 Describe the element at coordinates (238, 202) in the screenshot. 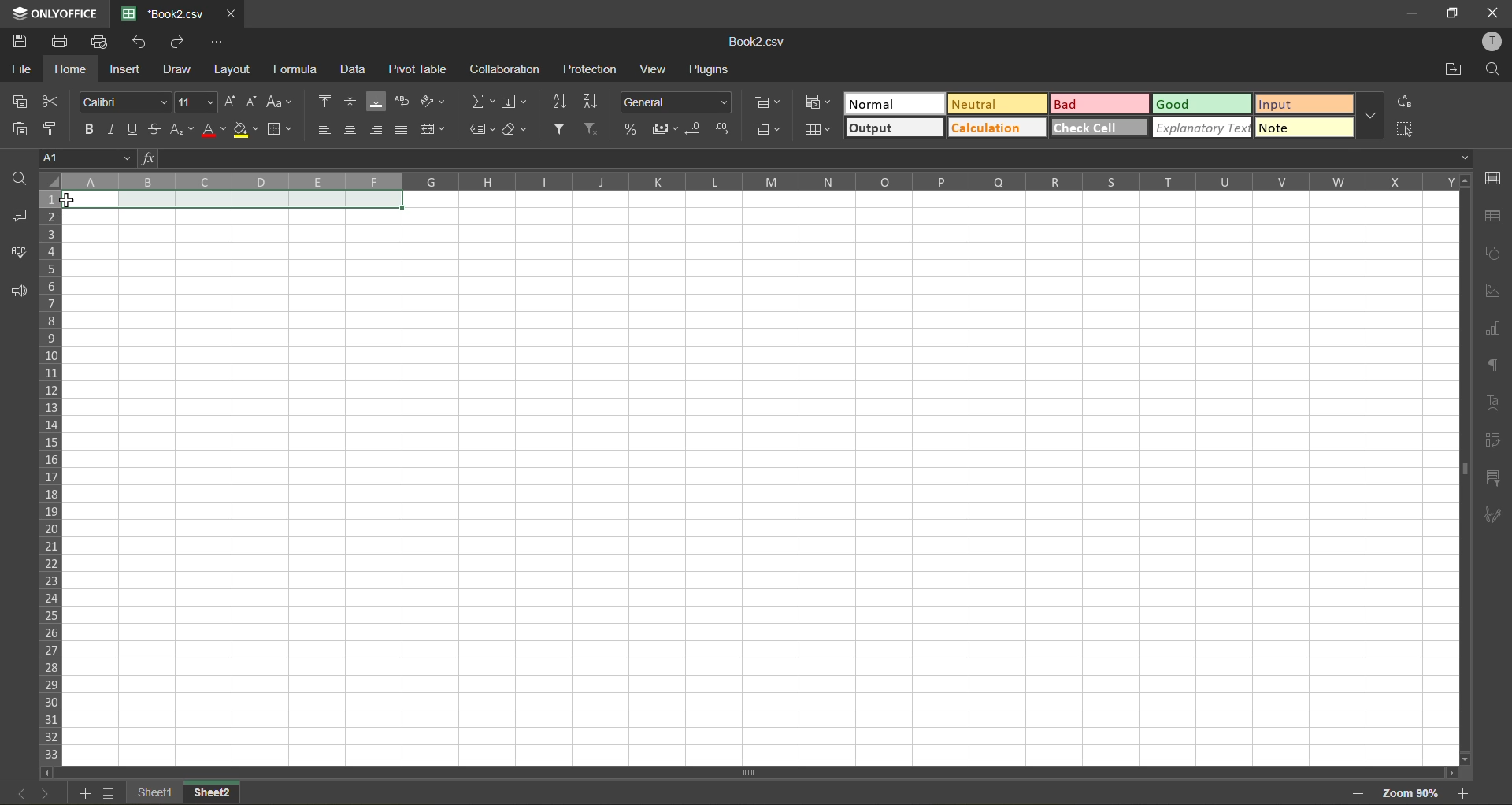

I see `current cell` at that location.